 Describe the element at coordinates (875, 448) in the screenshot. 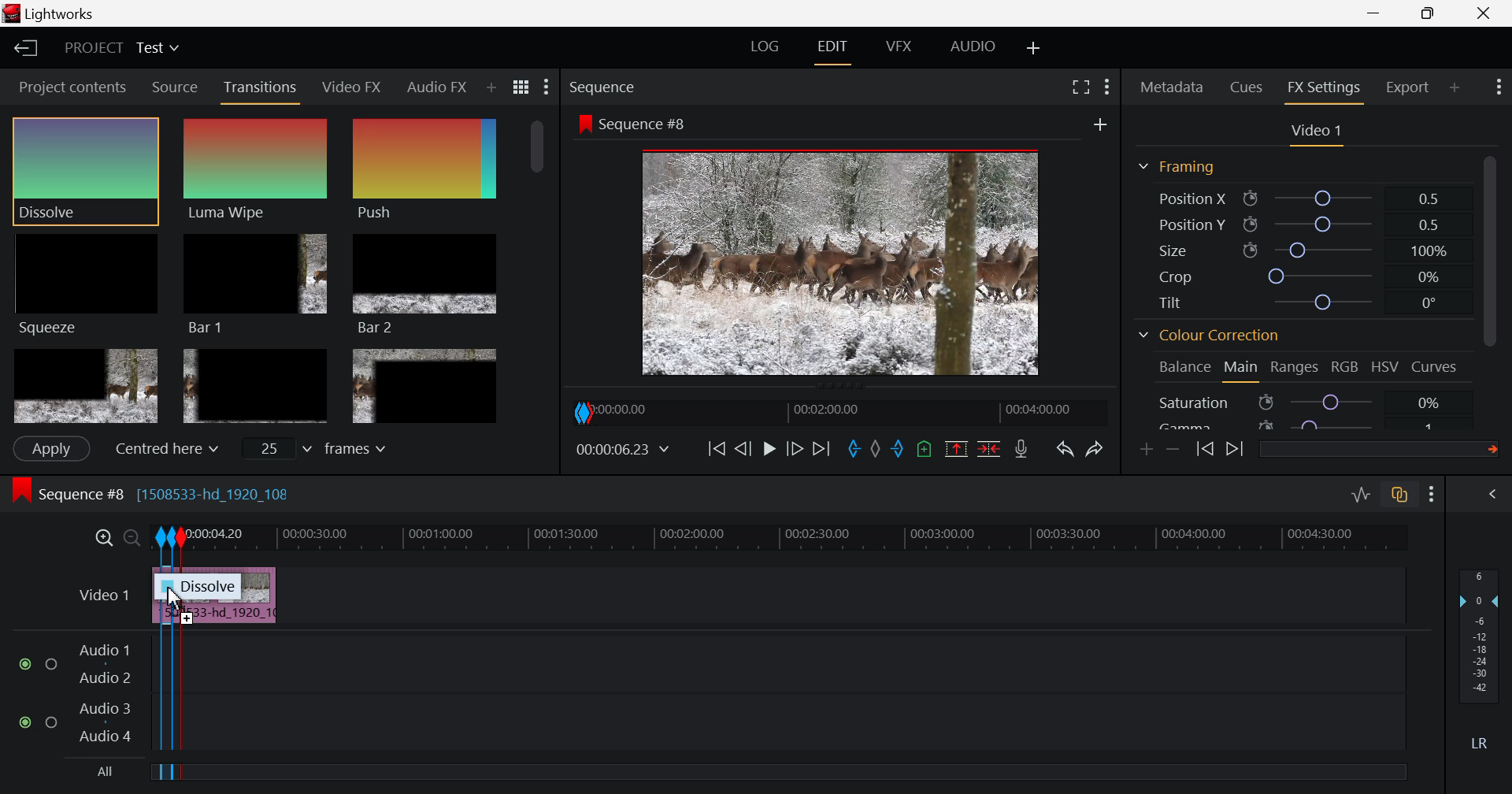

I see `Remove all marks` at that location.